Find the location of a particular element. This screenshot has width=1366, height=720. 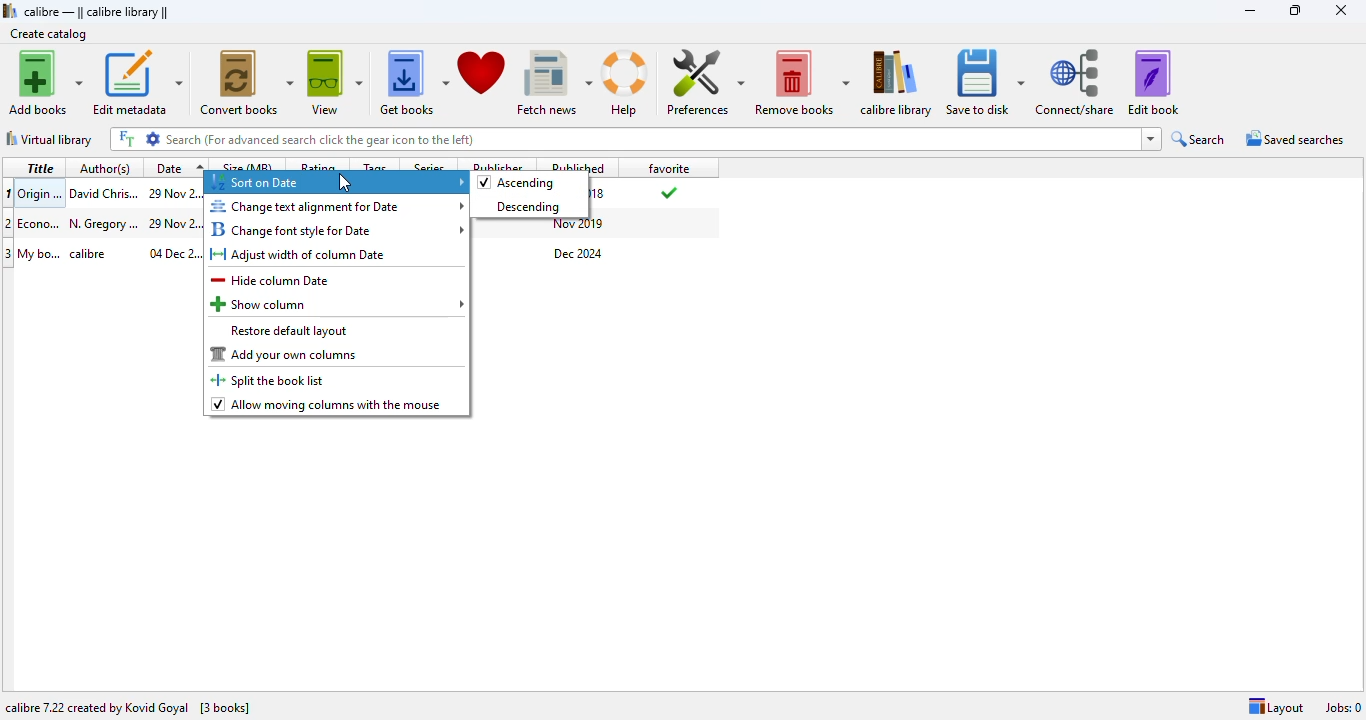

saved searches is located at coordinates (1294, 138).